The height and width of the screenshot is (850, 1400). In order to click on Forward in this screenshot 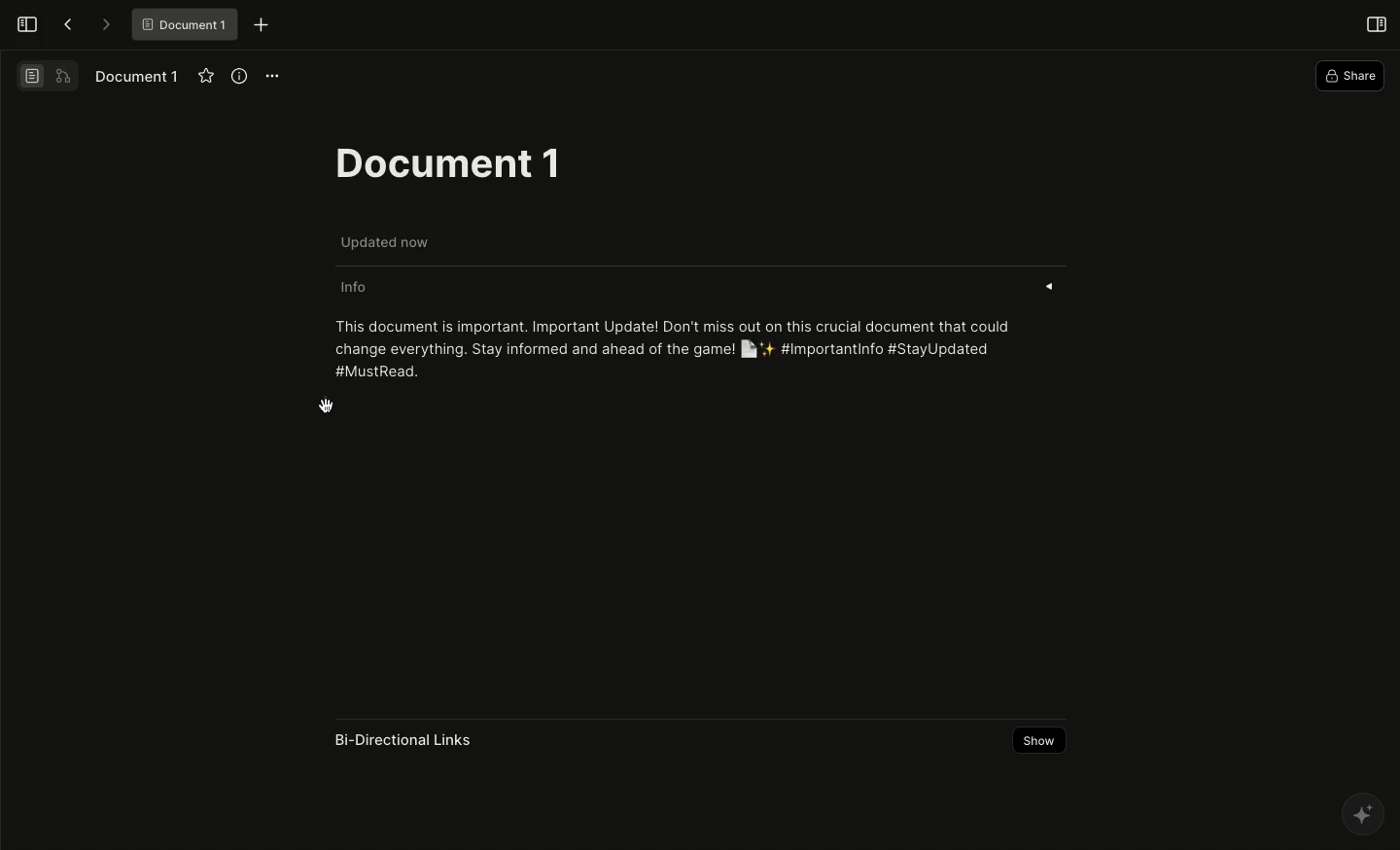, I will do `click(104, 24)`.